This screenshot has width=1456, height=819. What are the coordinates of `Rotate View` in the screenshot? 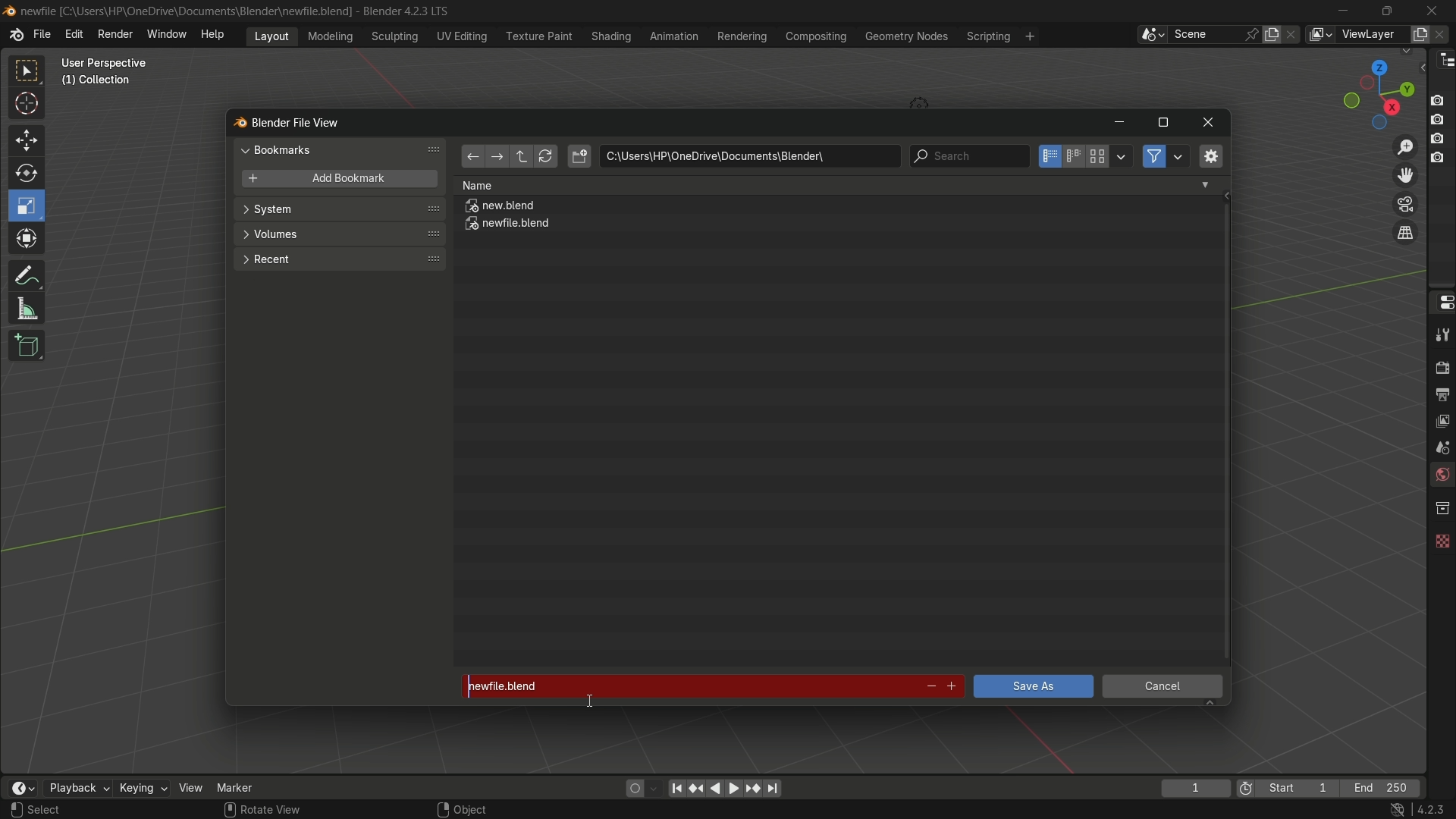 It's located at (262, 810).